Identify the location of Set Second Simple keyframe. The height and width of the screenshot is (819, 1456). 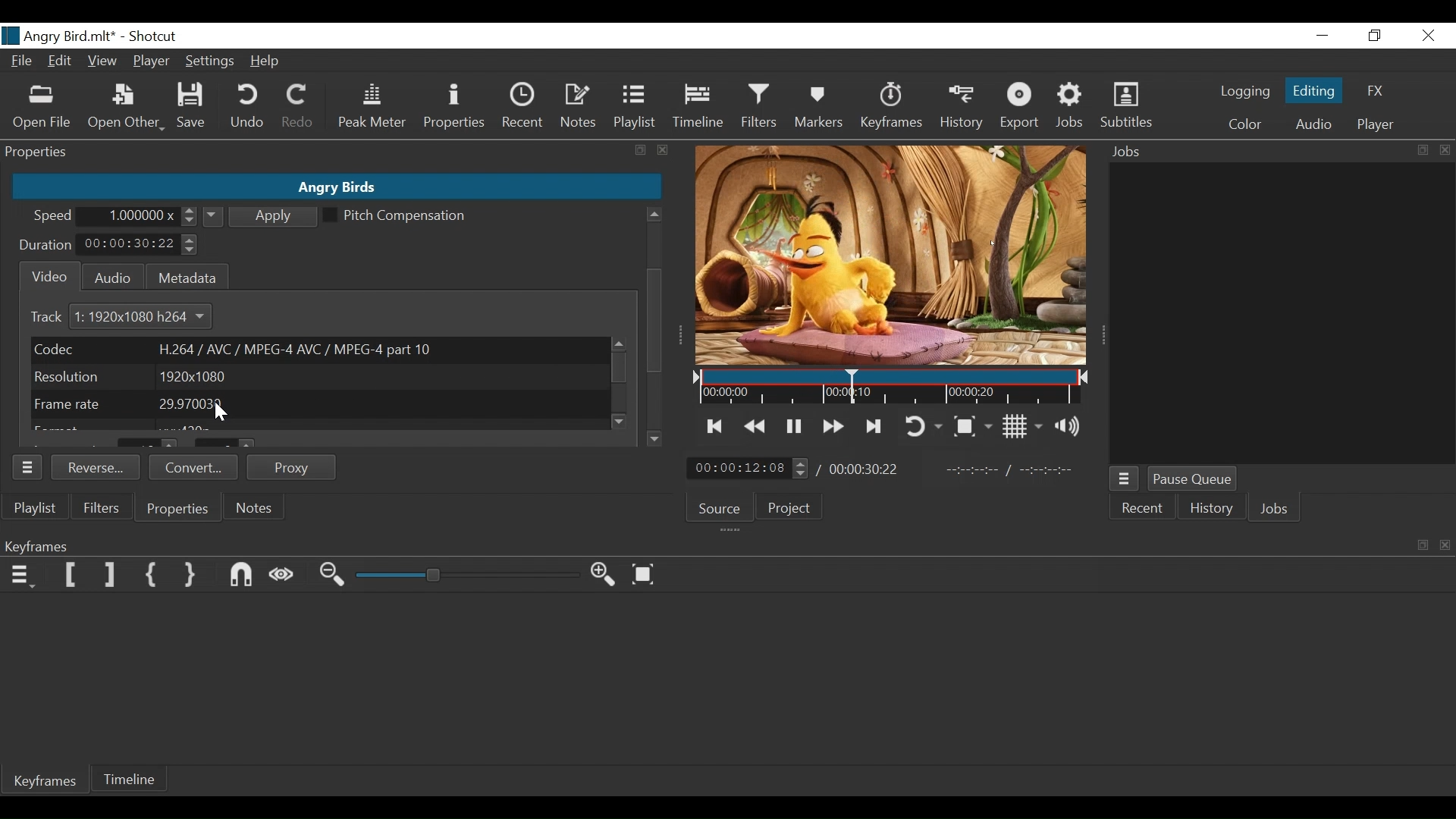
(193, 576).